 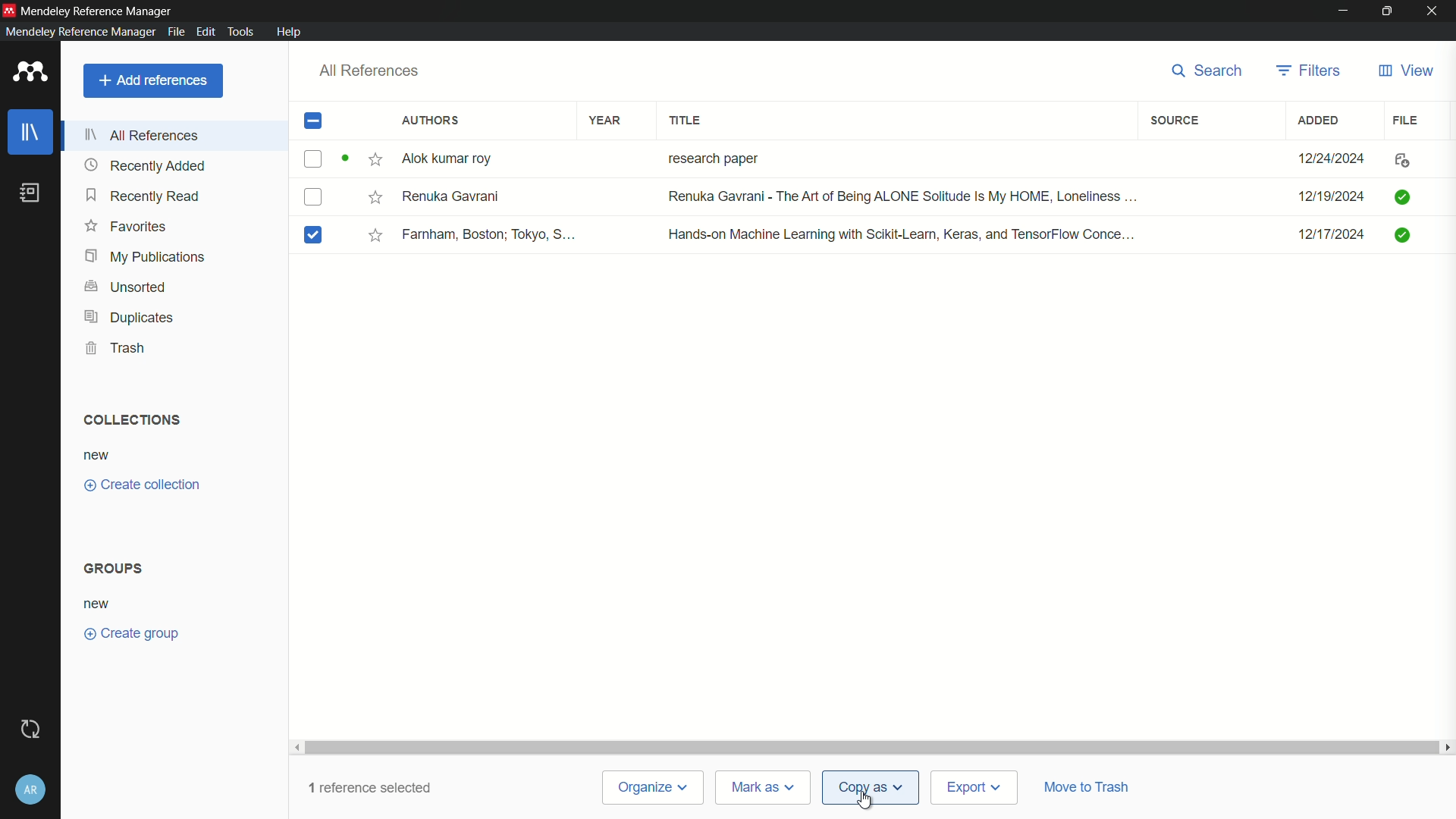 I want to click on mark as, so click(x=765, y=788).